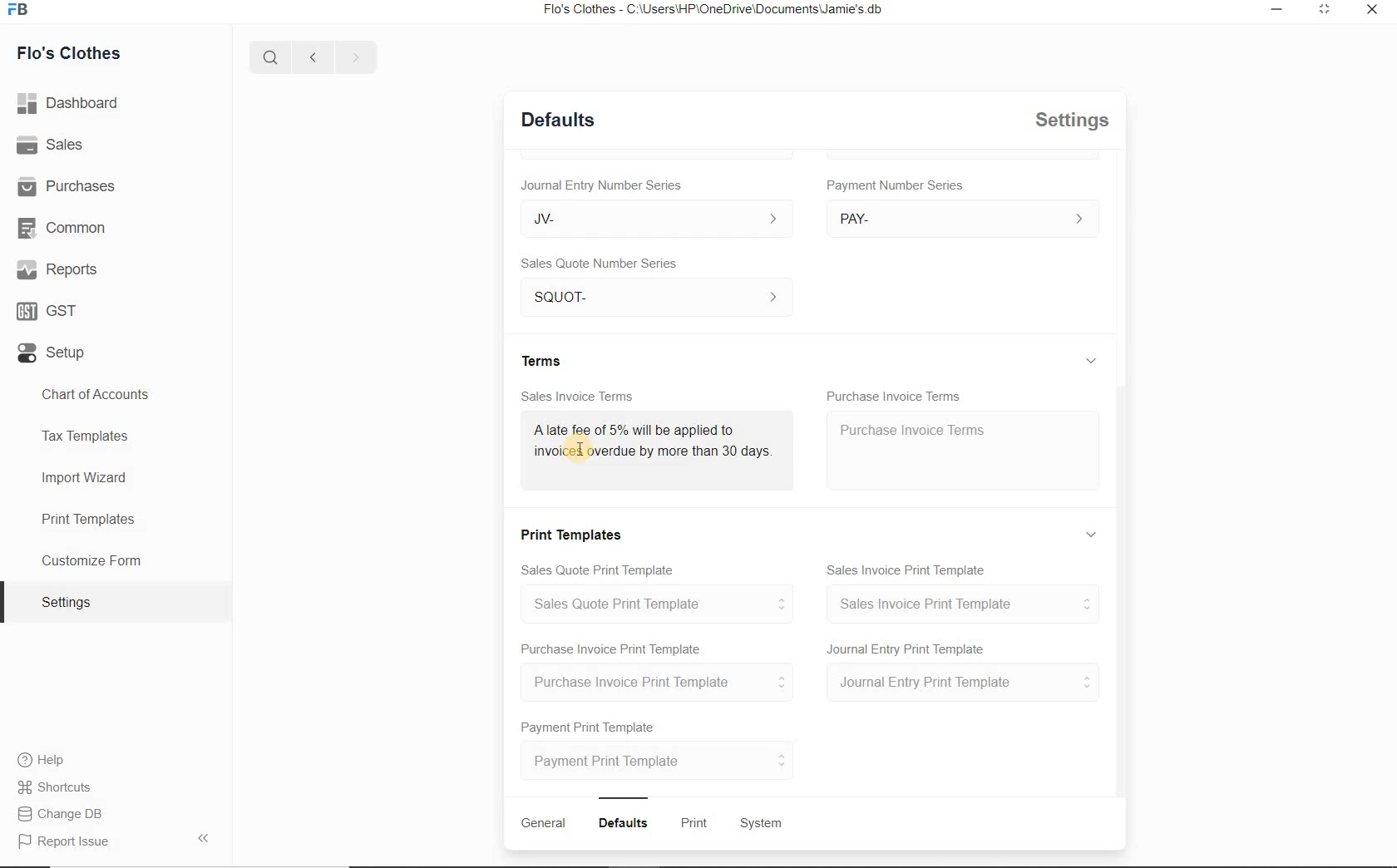 The height and width of the screenshot is (868, 1397). What do you see at coordinates (355, 57) in the screenshot?
I see `Next` at bounding box center [355, 57].